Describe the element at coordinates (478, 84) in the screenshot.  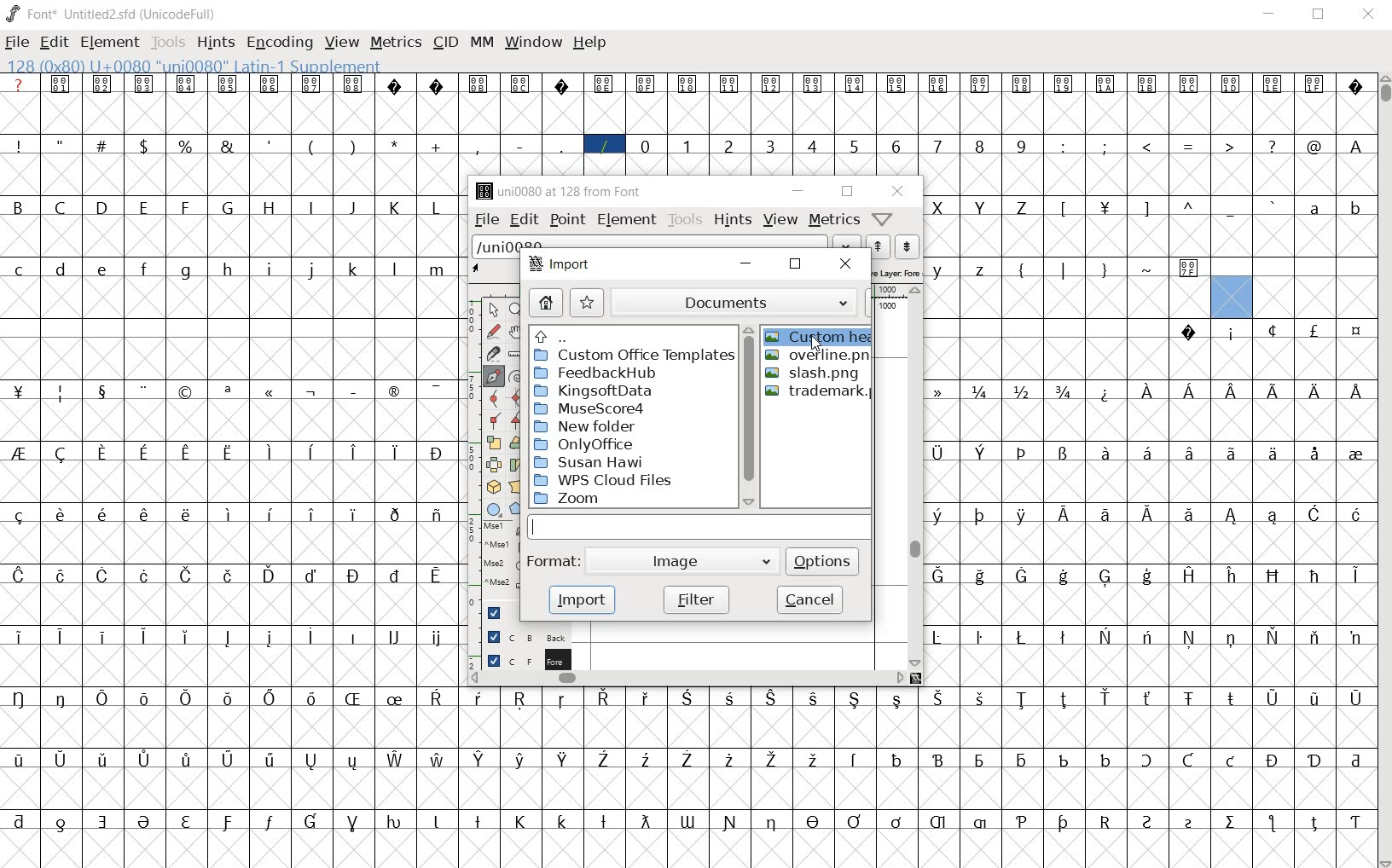
I see `glyph` at that location.